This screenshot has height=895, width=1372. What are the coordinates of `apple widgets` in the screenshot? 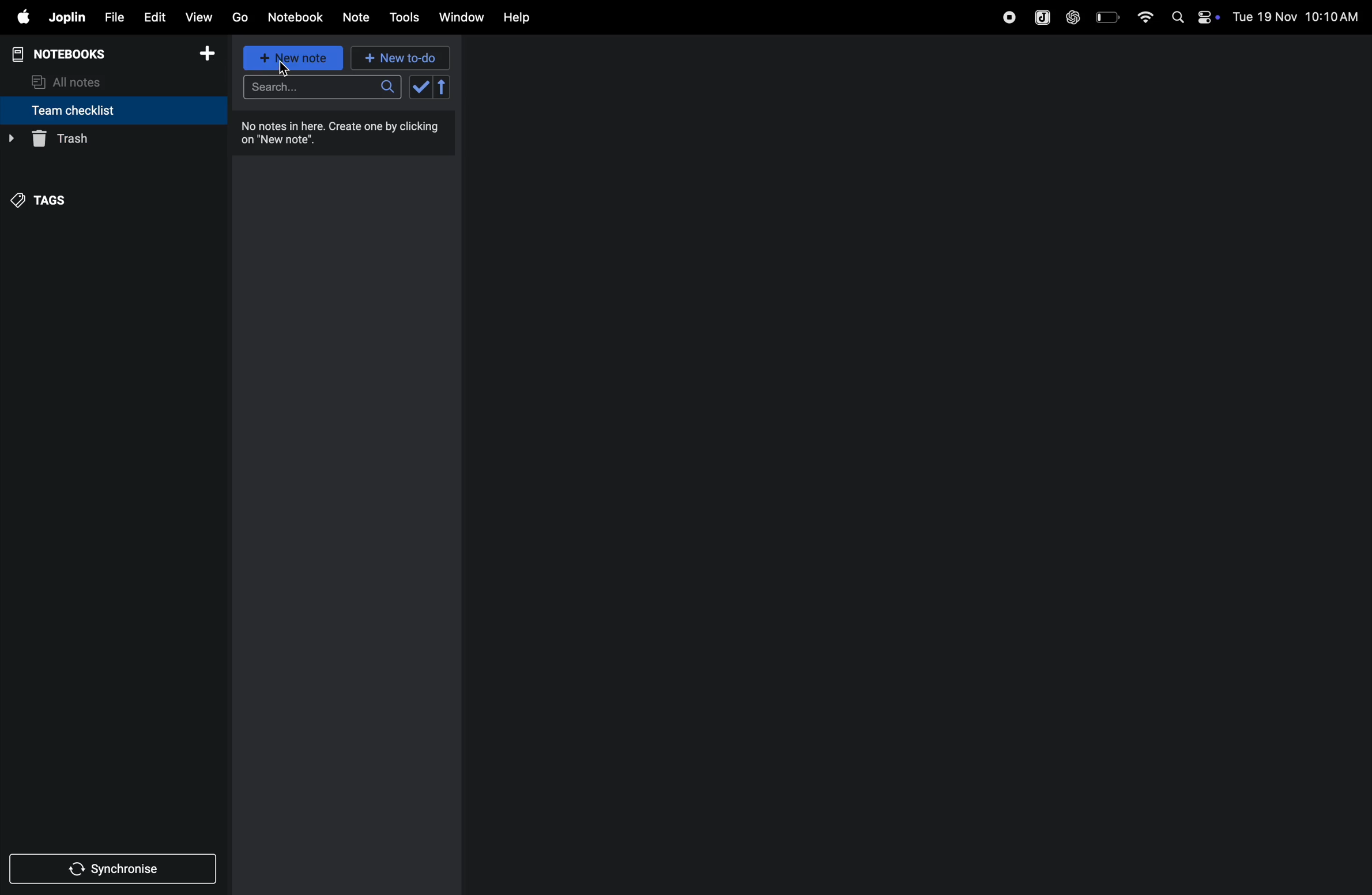 It's located at (1205, 17).